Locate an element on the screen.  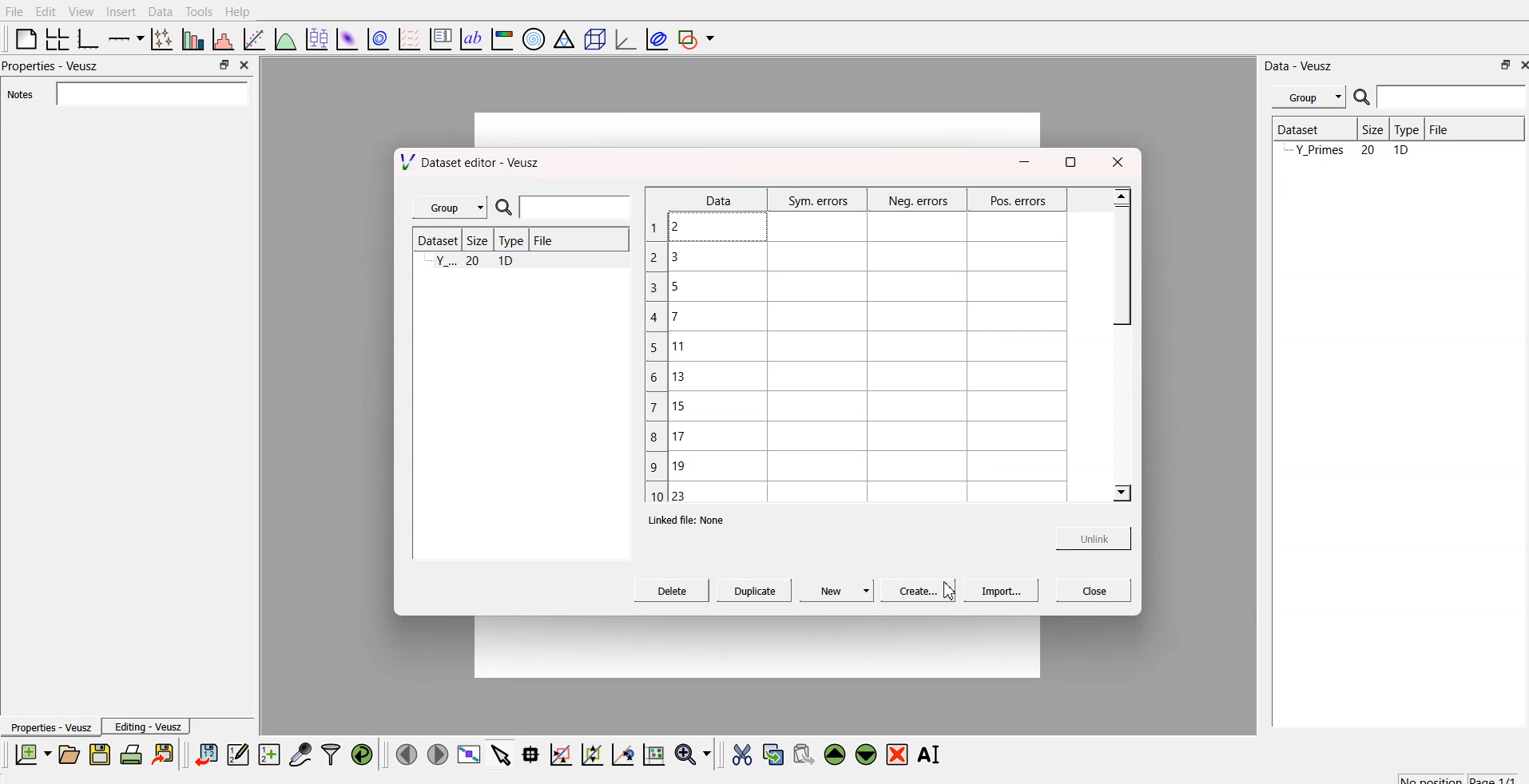
maximize is located at coordinates (1499, 65).